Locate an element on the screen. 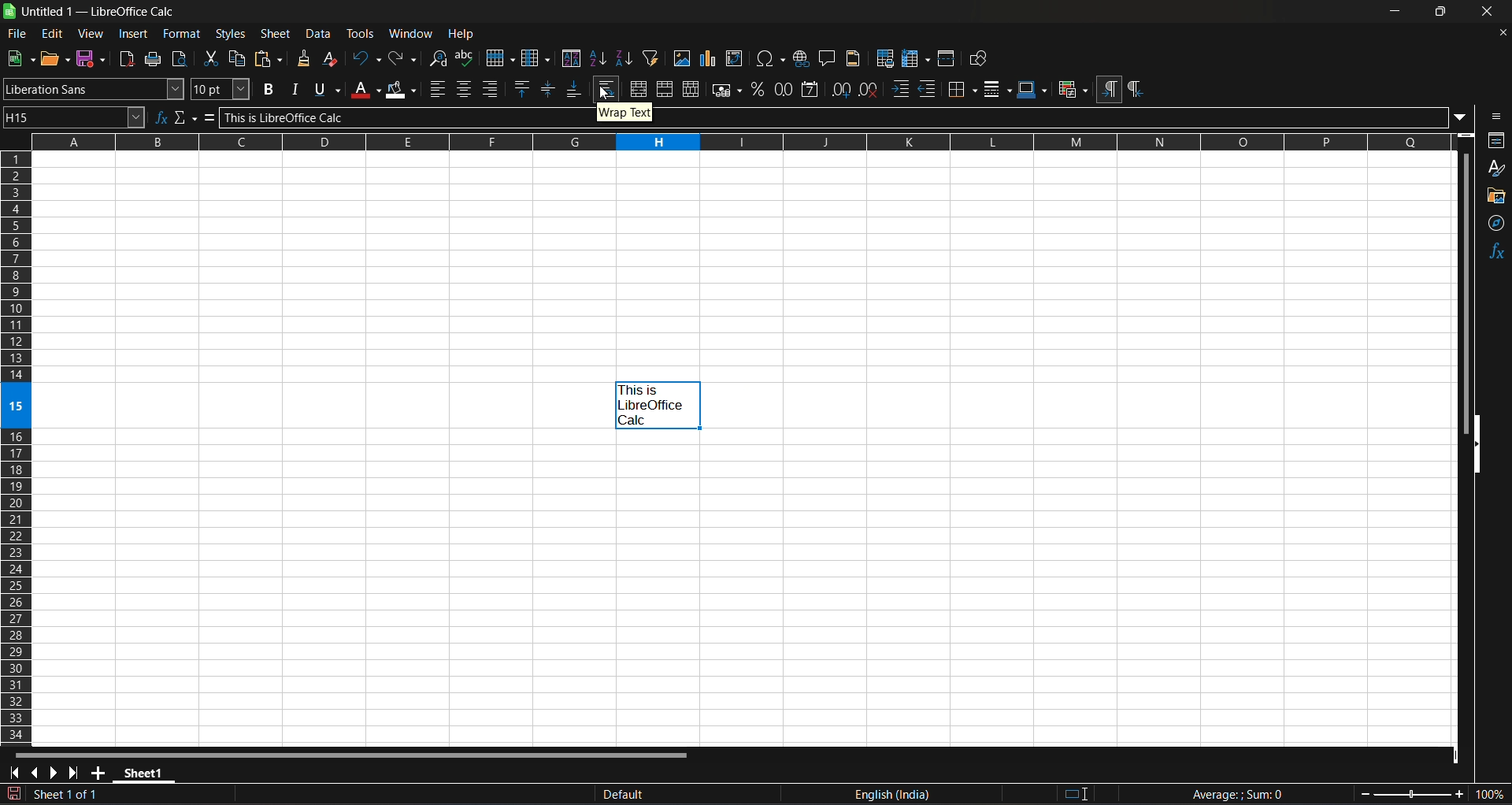  center vertically is located at coordinates (550, 87).